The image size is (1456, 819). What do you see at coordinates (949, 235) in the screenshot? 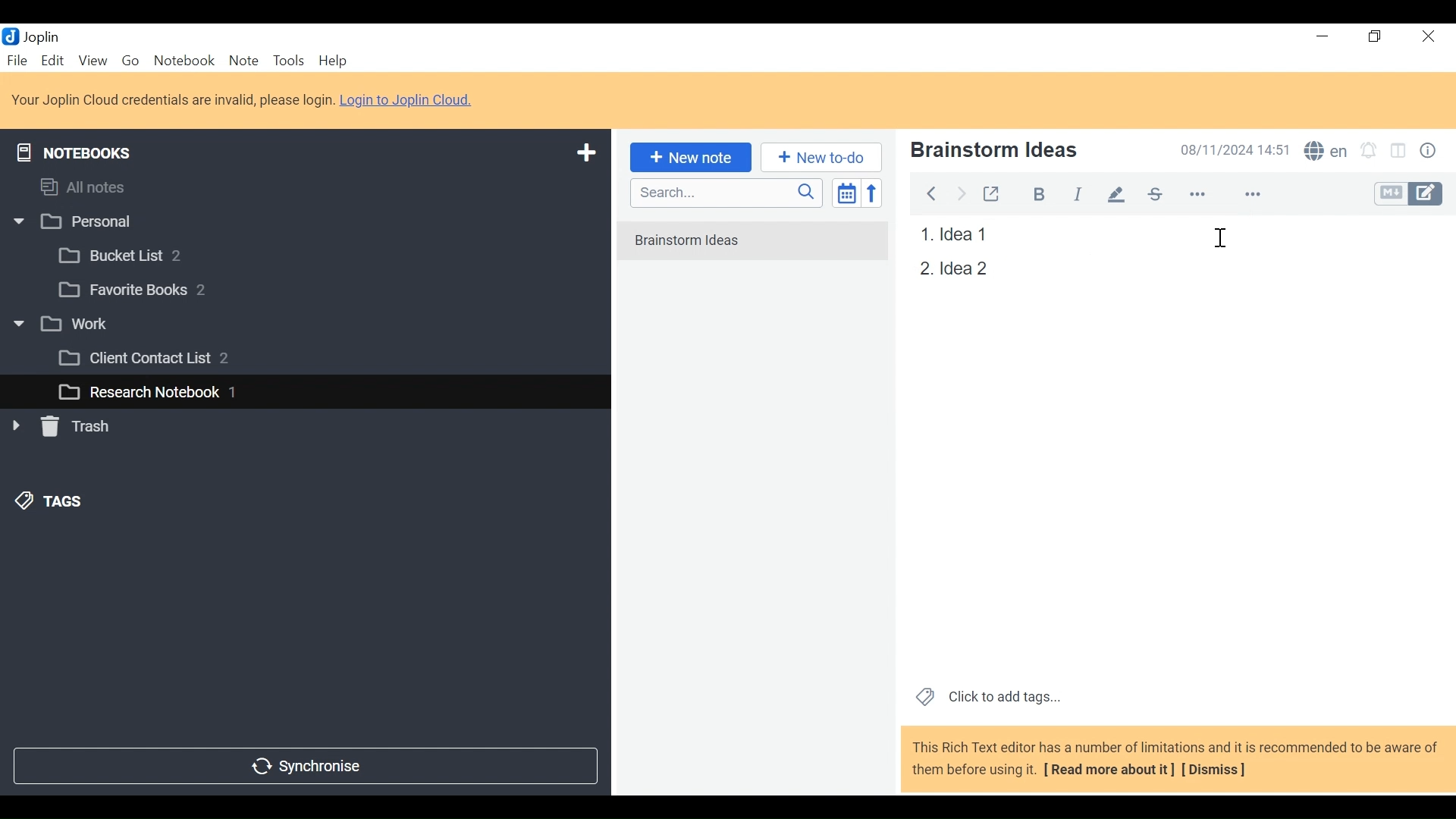
I see `Note View` at bounding box center [949, 235].